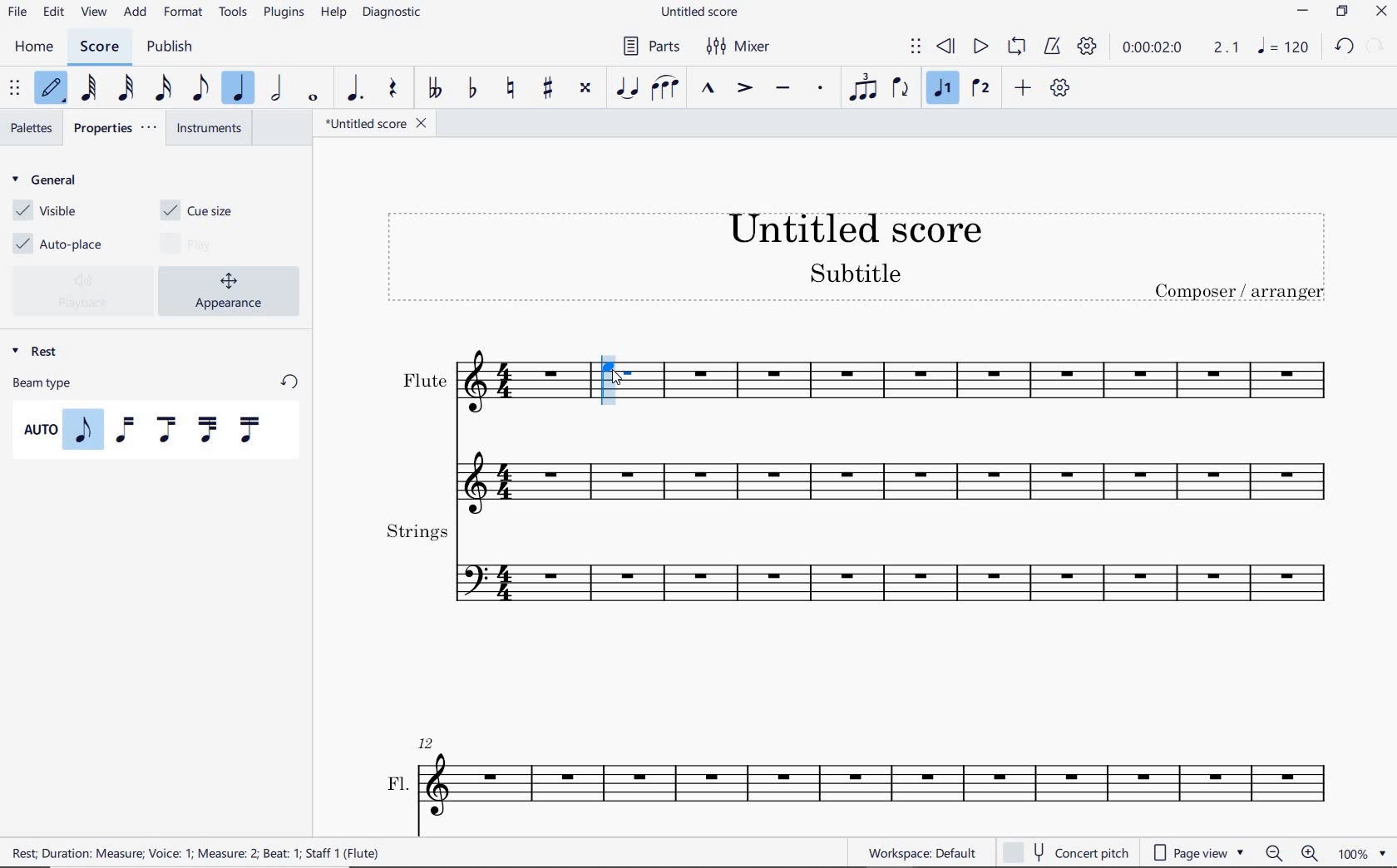 The width and height of the screenshot is (1397, 868). I want to click on file, so click(16, 12).